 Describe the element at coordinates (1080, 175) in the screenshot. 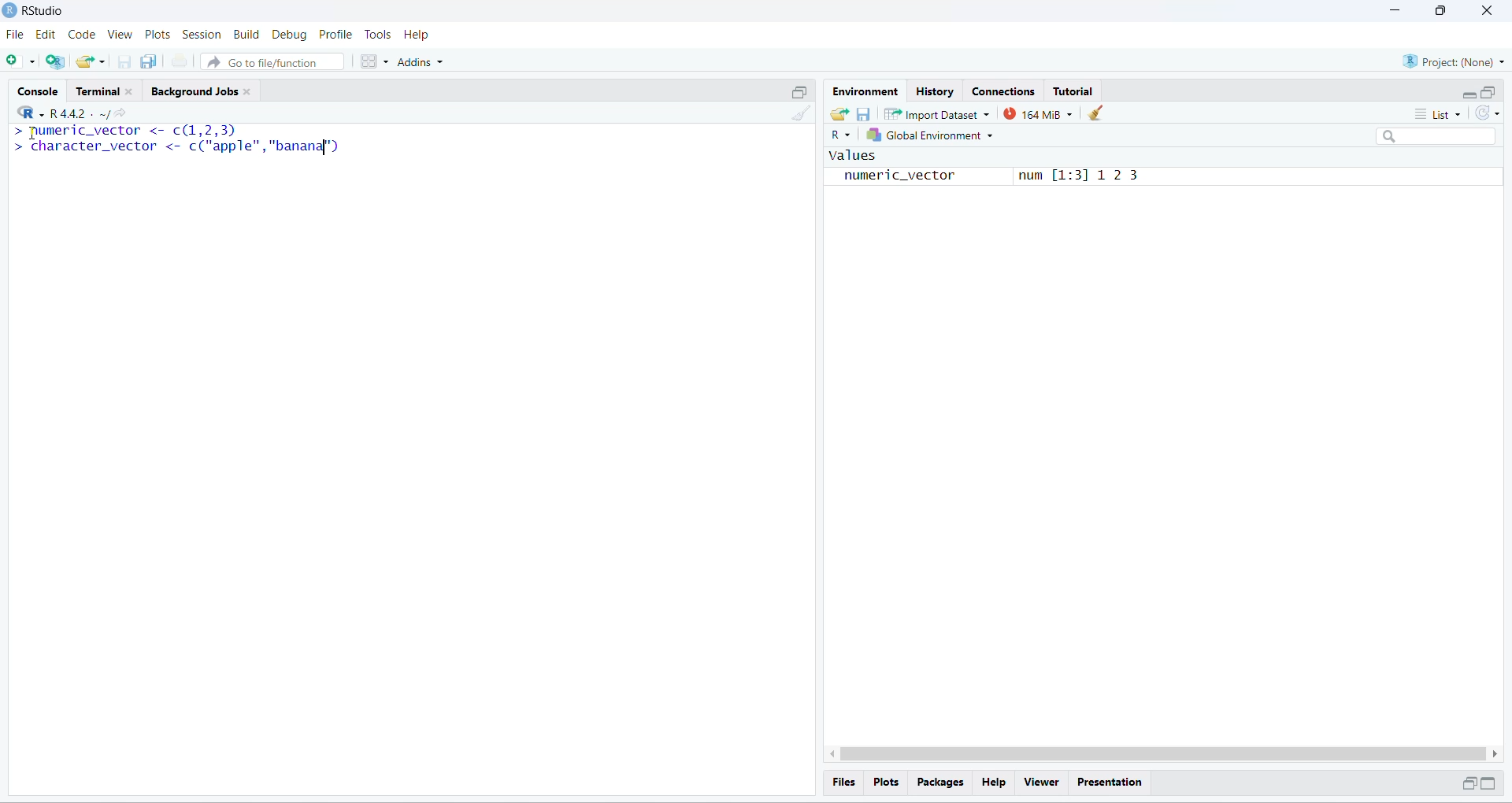

I see `num [1:31 12 3` at that location.